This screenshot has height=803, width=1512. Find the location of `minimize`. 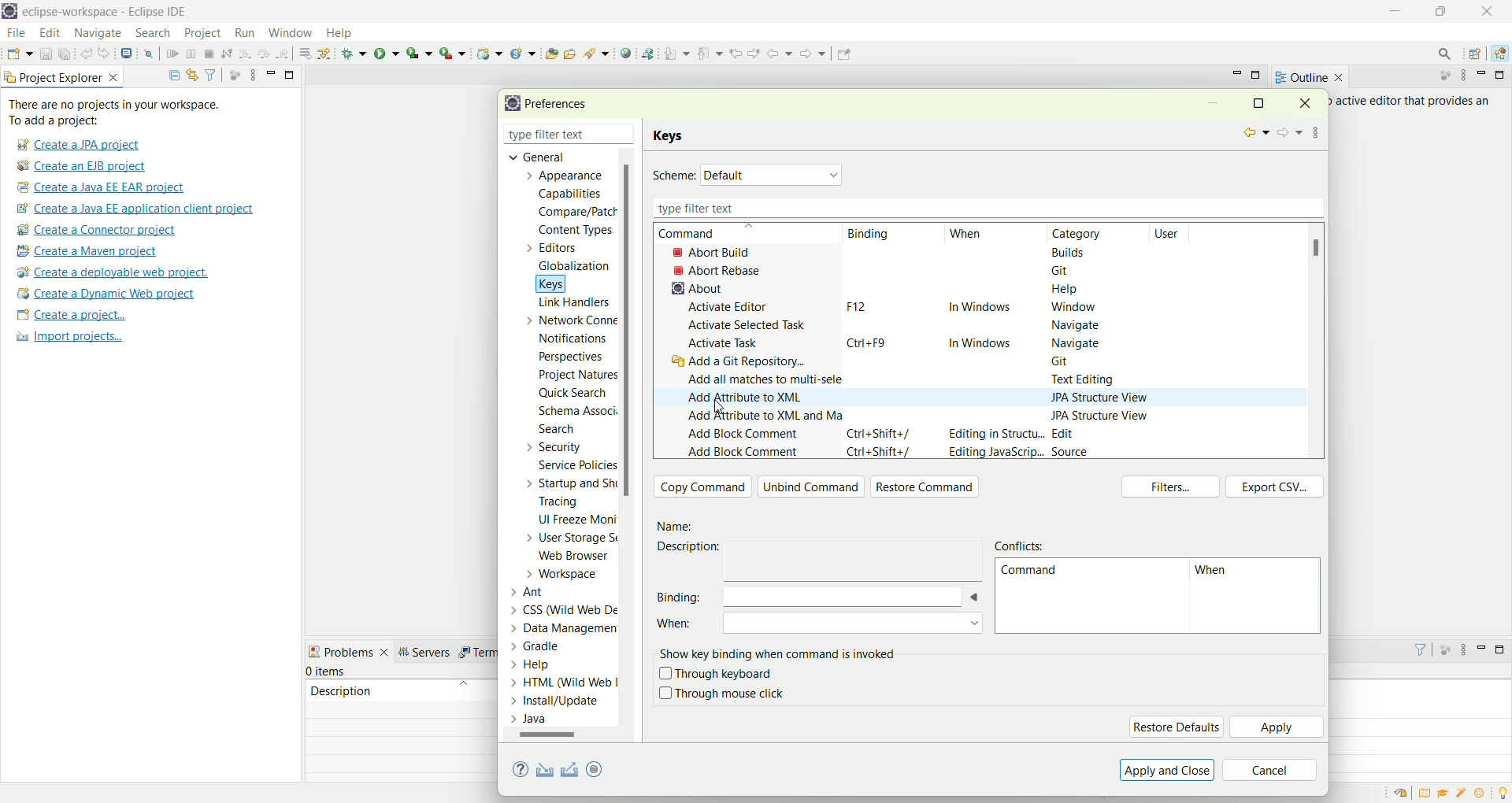

minimize is located at coordinates (1397, 12).